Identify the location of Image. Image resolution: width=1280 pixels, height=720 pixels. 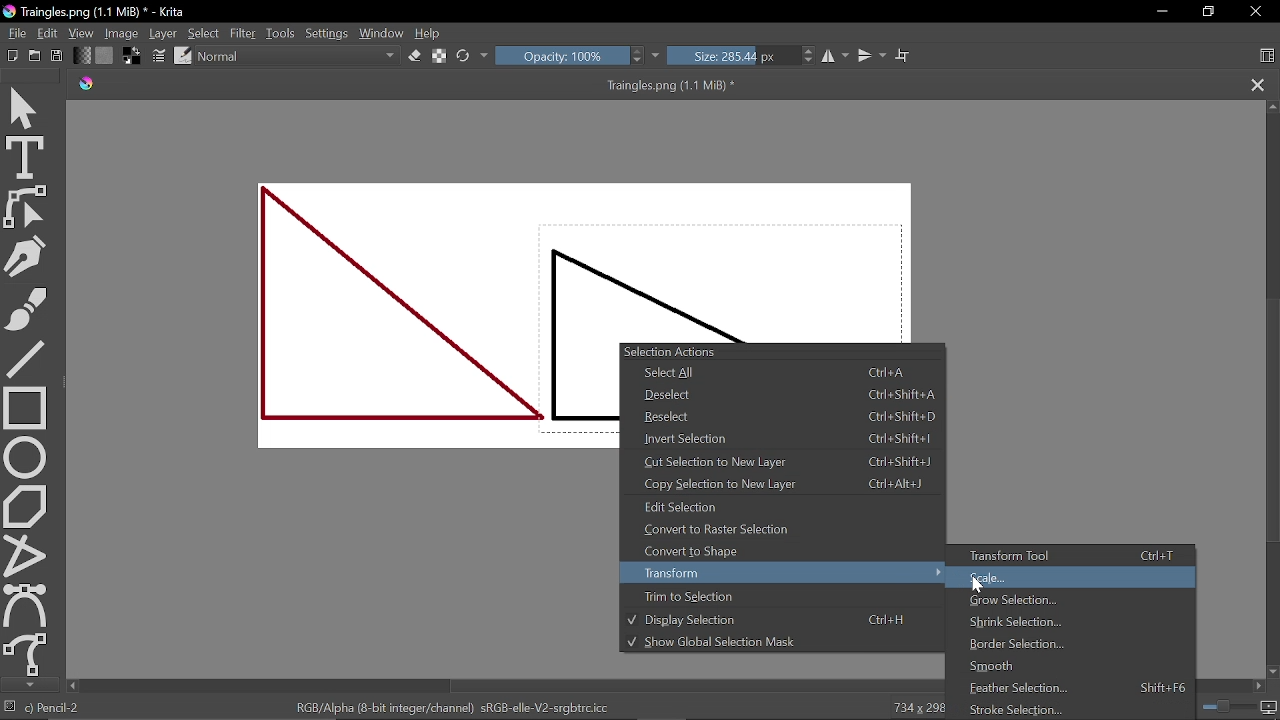
(122, 33).